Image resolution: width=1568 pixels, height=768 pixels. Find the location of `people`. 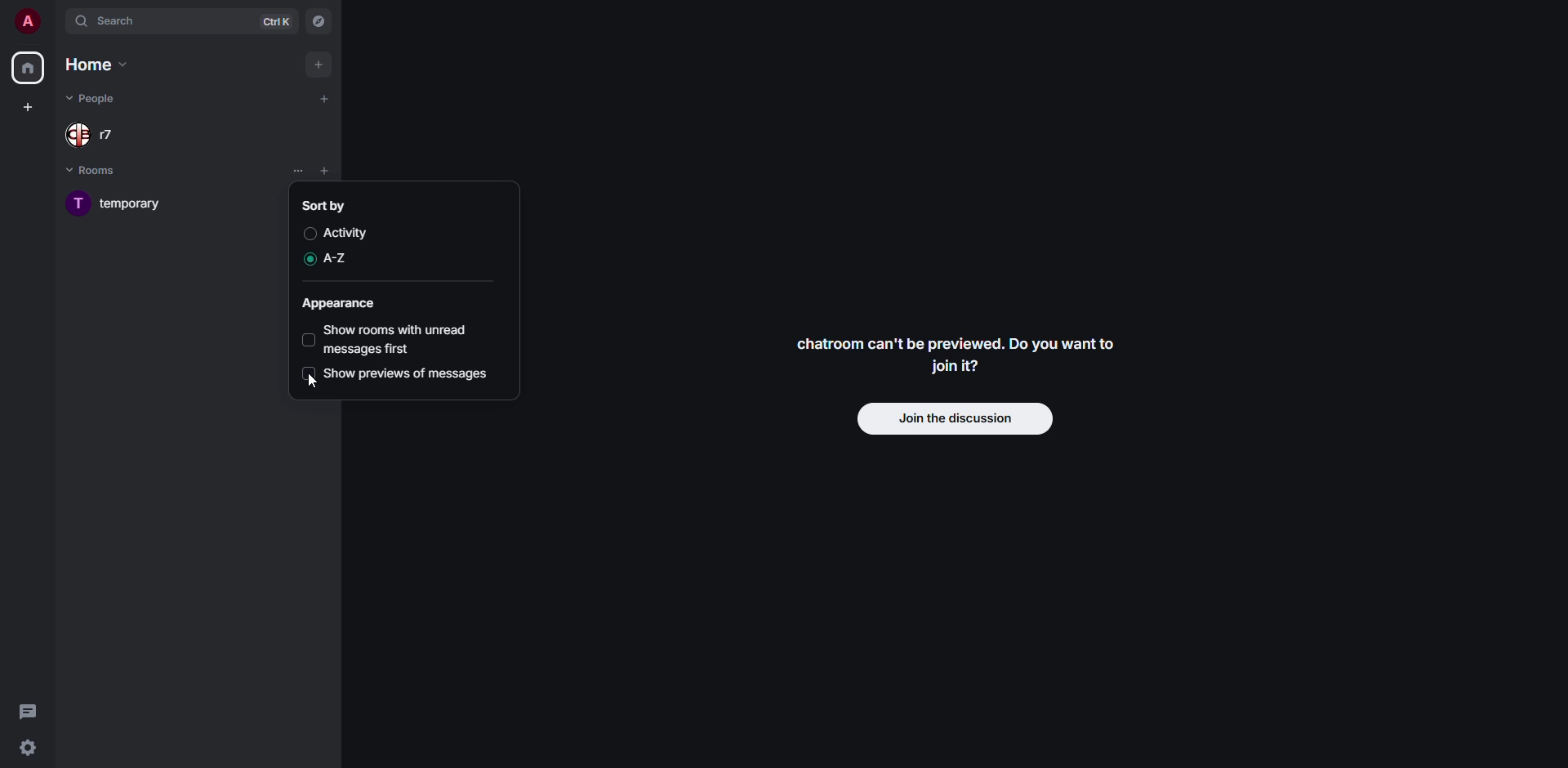

people is located at coordinates (96, 96).